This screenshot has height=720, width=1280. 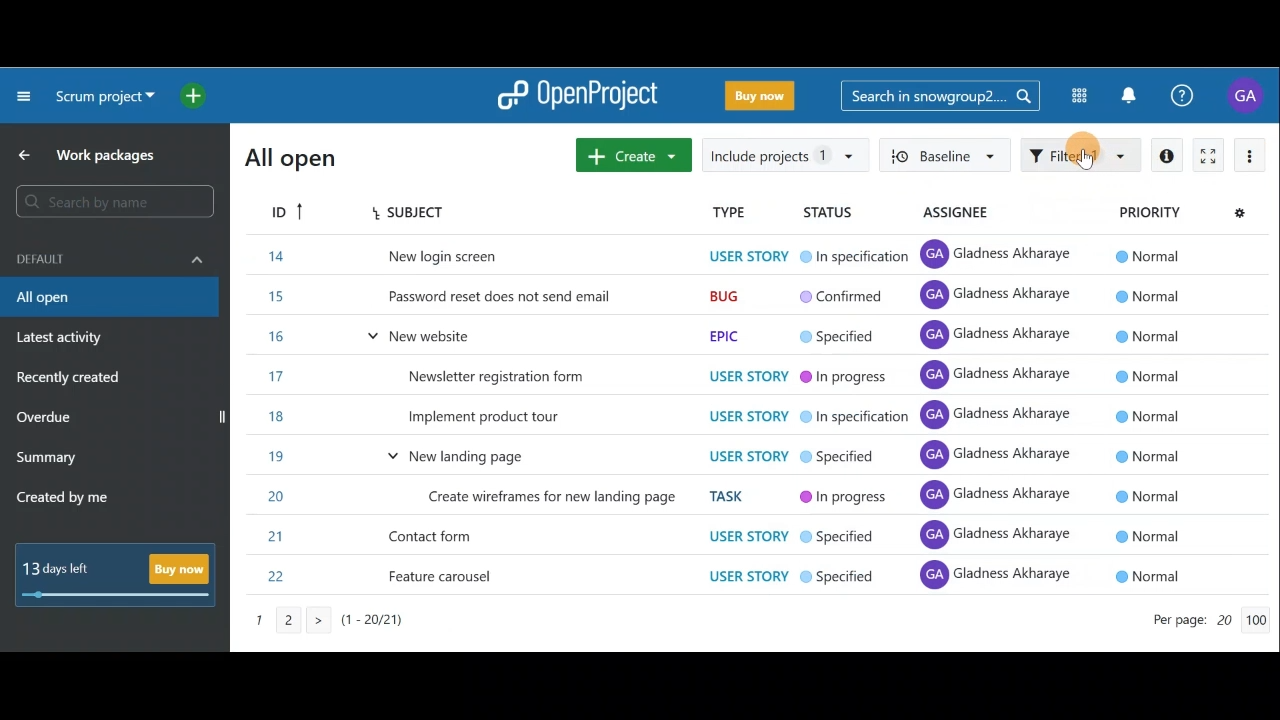 I want to click on Item 1, so click(x=726, y=254).